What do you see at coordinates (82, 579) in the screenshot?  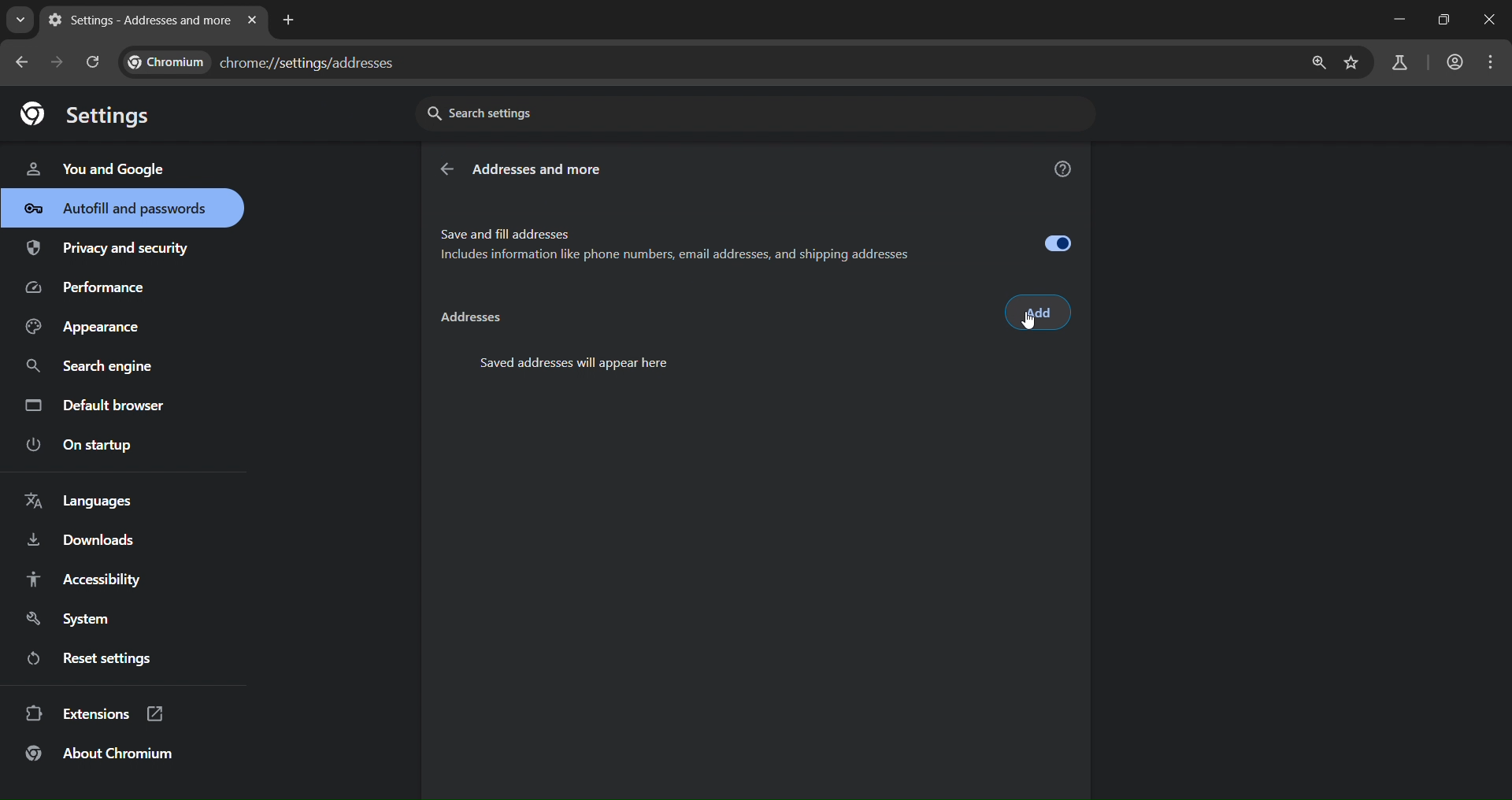 I see `accessibility` at bounding box center [82, 579].